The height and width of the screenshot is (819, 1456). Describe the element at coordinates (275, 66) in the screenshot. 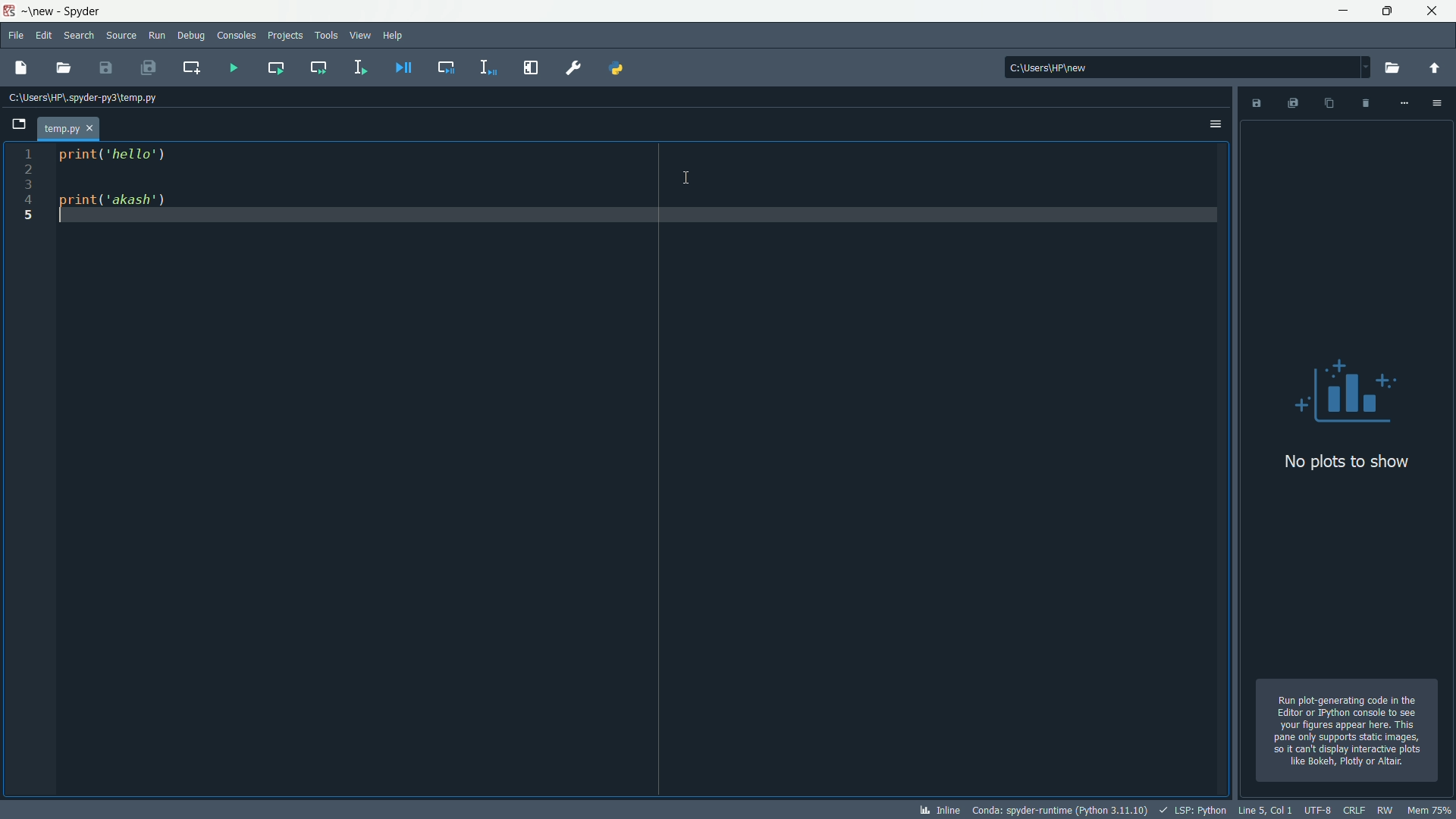

I see `run current cell` at that location.